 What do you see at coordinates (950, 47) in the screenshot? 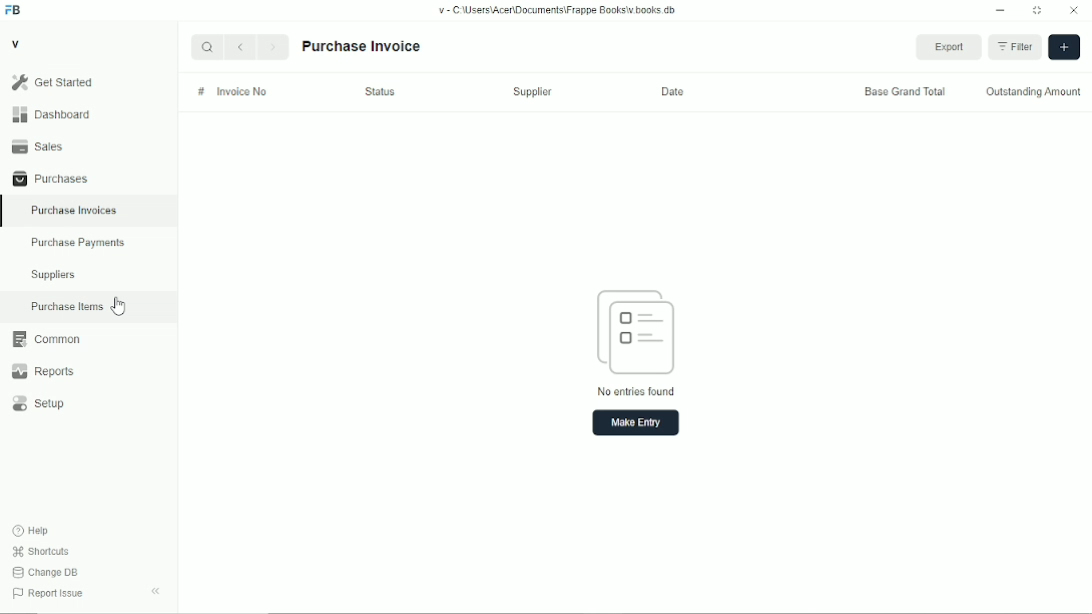
I see `export` at bounding box center [950, 47].